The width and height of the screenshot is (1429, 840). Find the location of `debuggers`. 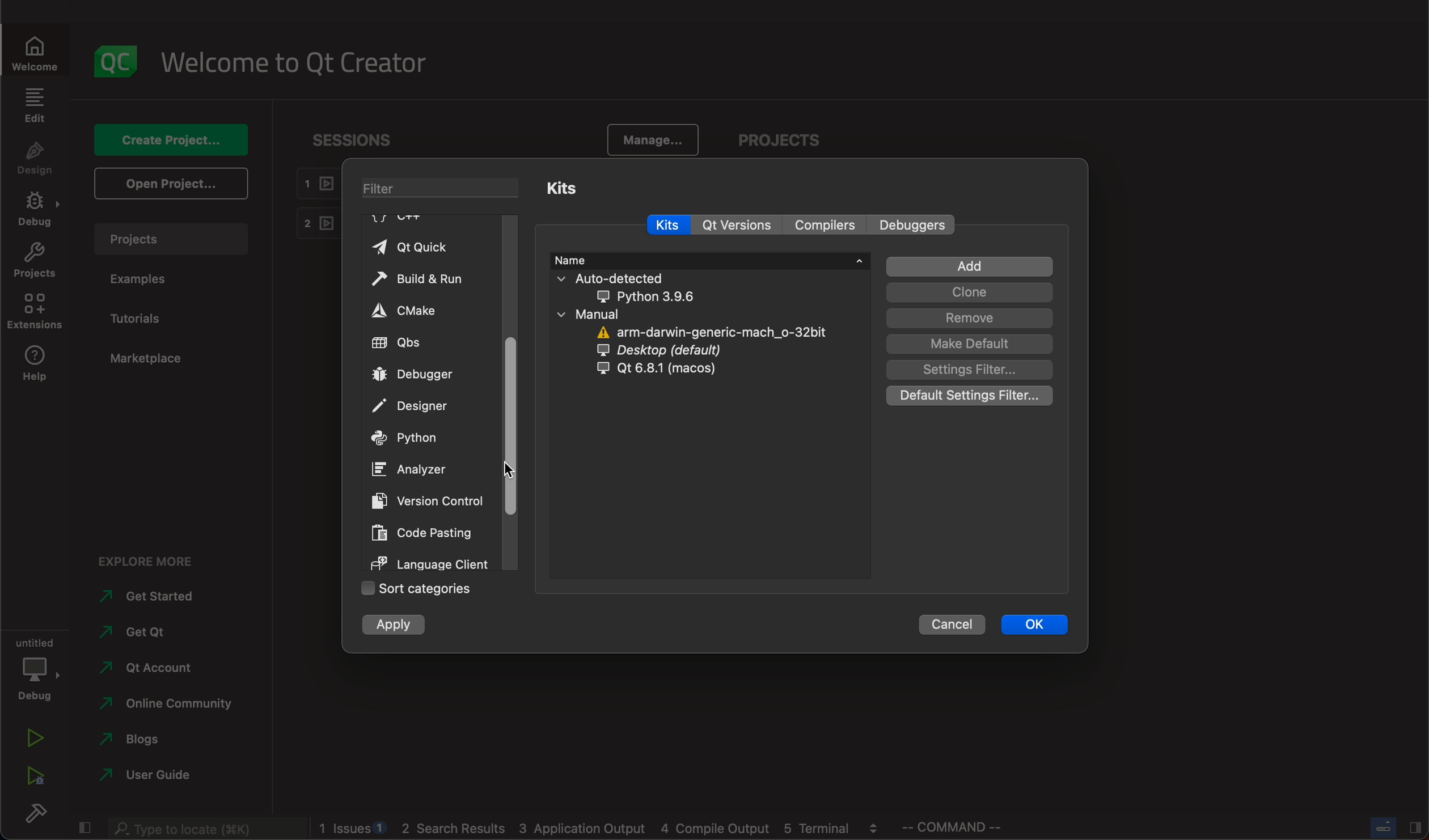

debuggers is located at coordinates (914, 224).